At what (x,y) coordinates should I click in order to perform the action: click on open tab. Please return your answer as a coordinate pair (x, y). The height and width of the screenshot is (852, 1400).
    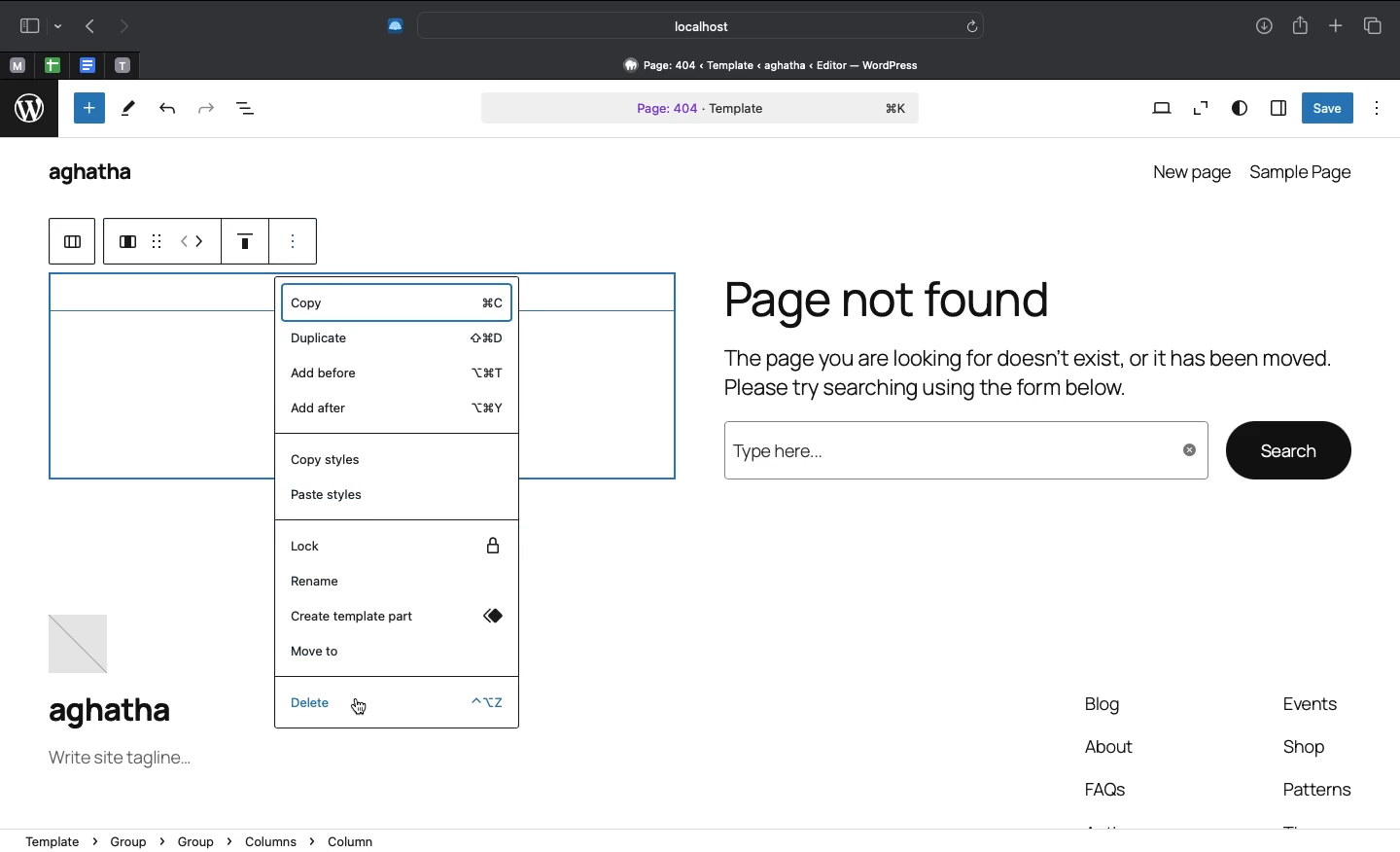
    Looking at the image, I should click on (122, 66).